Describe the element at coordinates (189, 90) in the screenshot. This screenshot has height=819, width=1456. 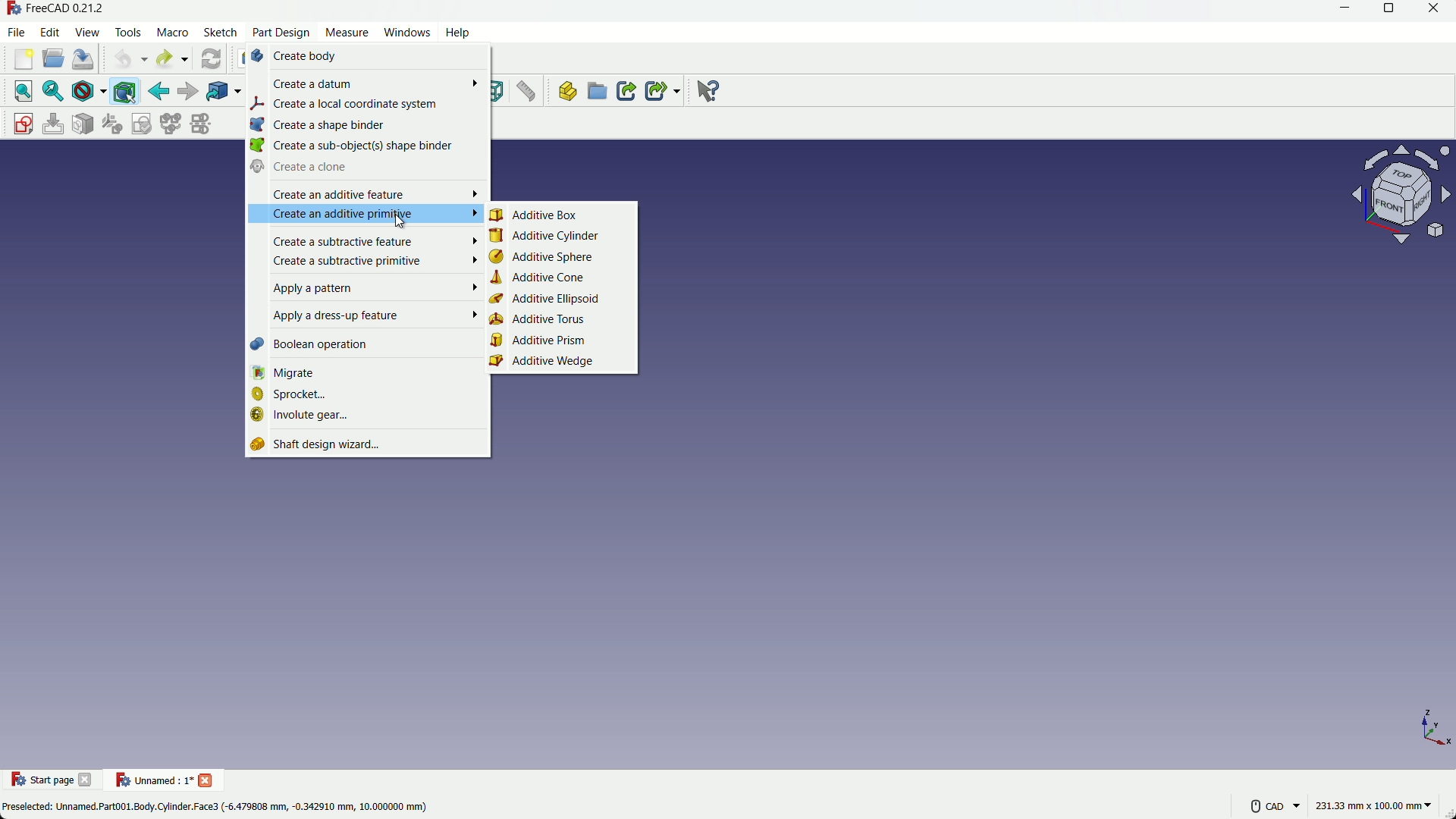
I see `forward` at that location.